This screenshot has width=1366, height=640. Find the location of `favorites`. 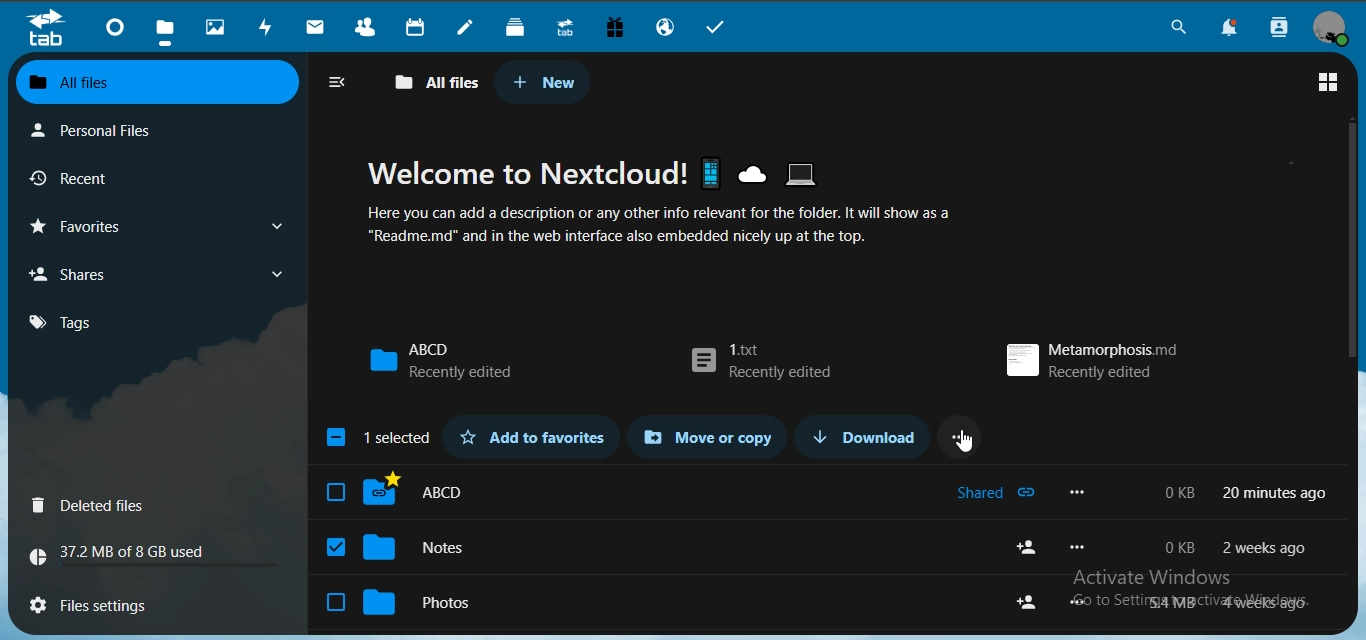

favorites is located at coordinates (162, 223).